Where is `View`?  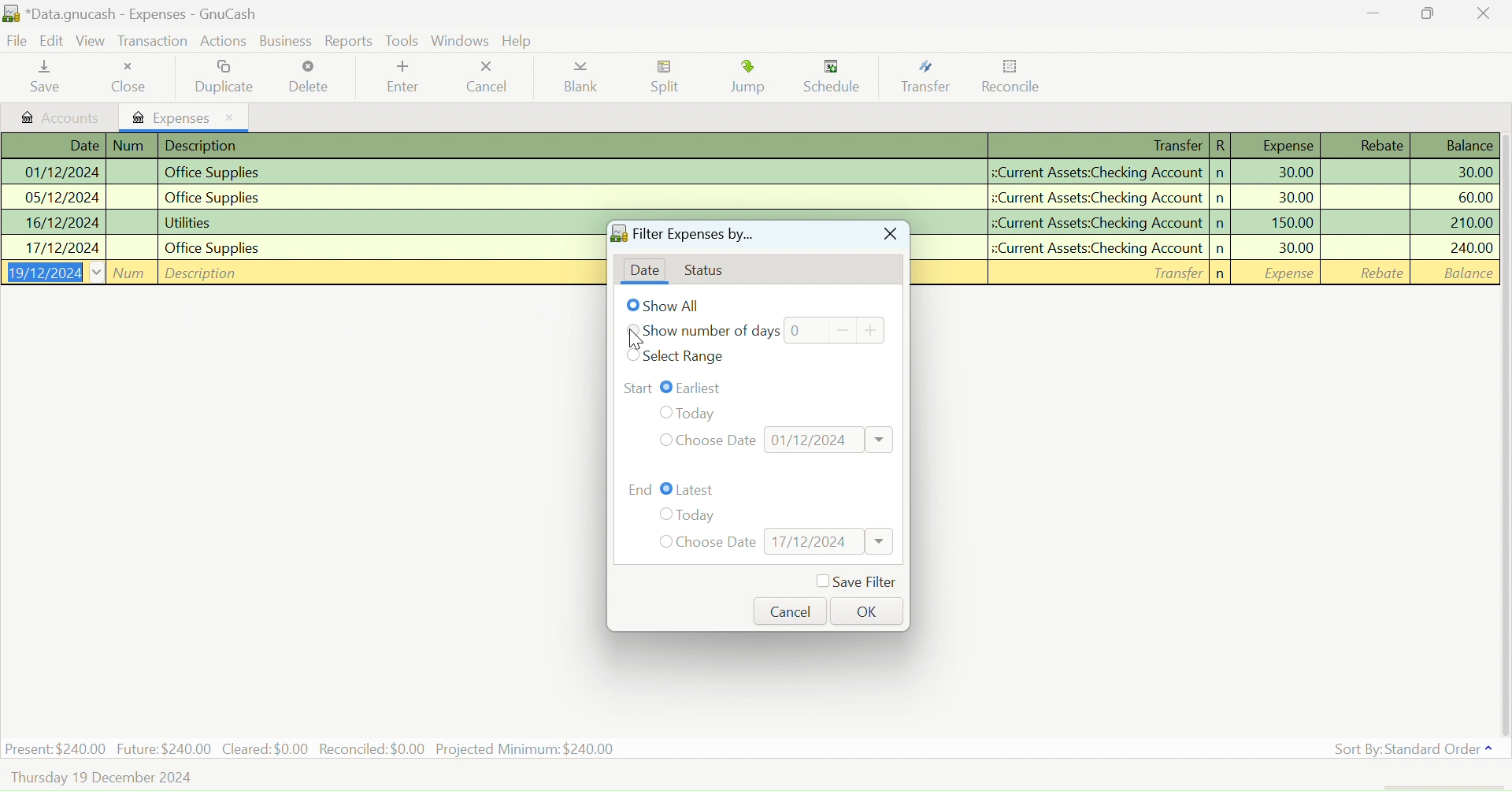 View is located at coordinates (91, 43).